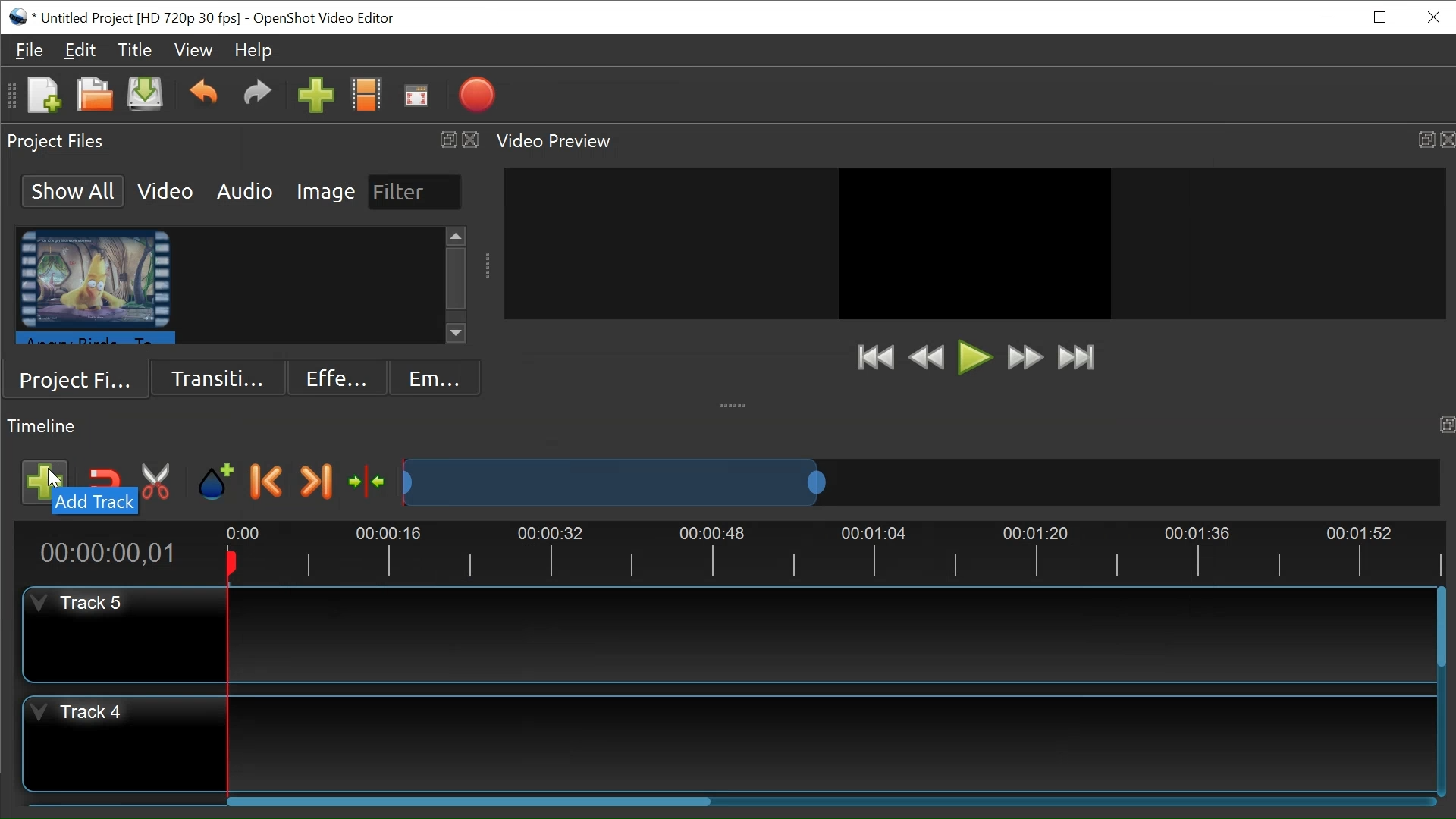 This screenshot has height=819, width=1456. I want to click on Horizontal Scroll bar, so click(465, 798).